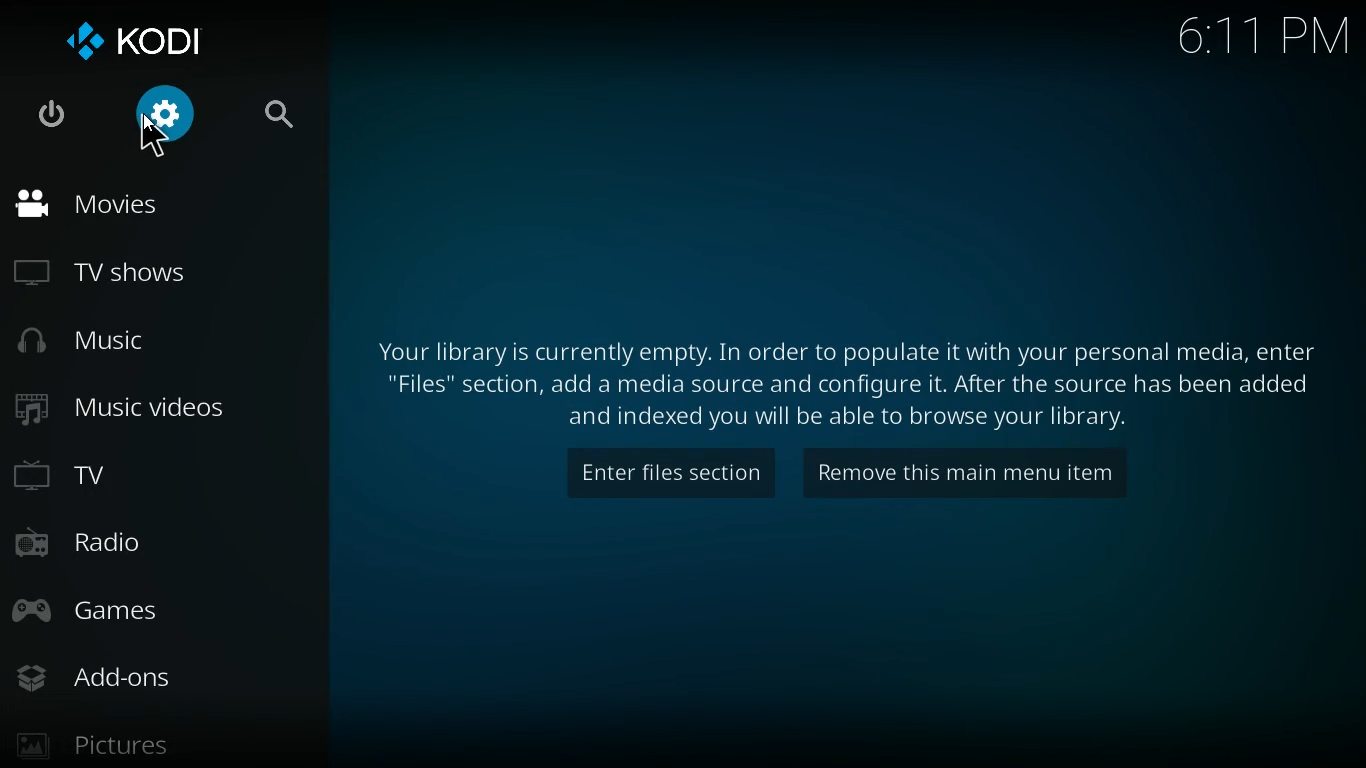 Image resolution: width=1366 pixels, height=768 pixels. I want to click on message, so click(832, 383).